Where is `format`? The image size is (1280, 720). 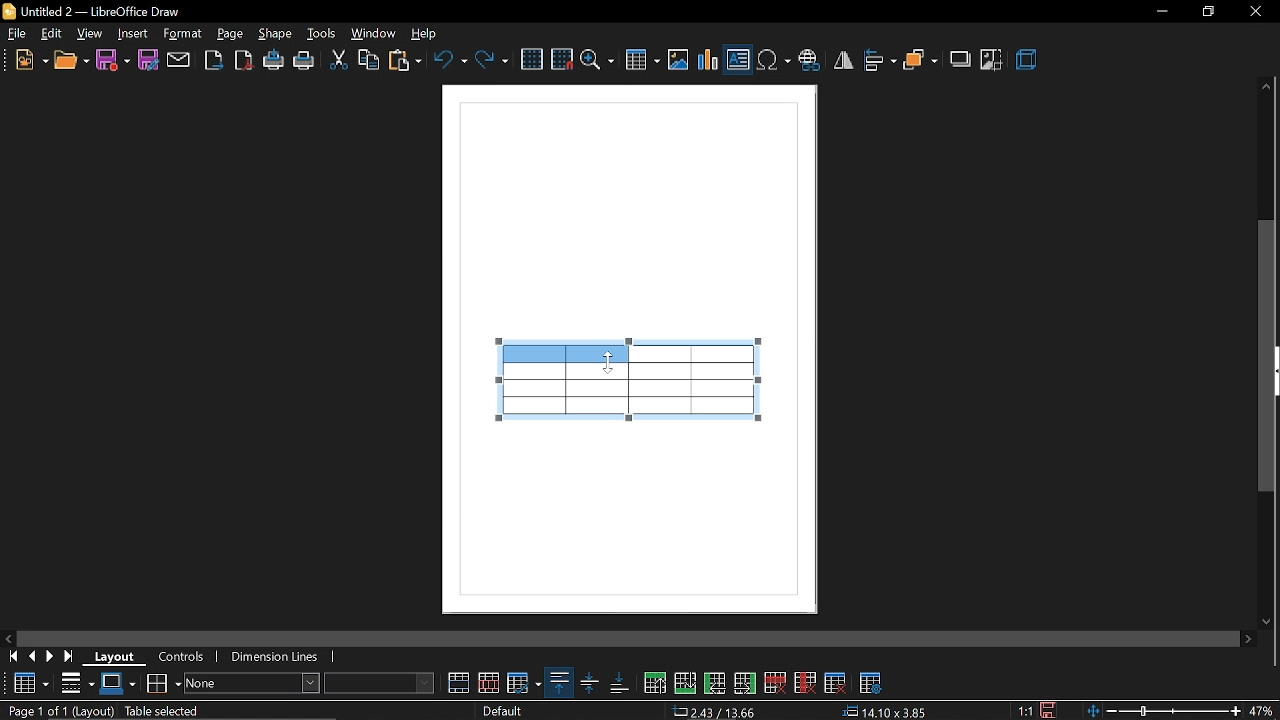 format is located at coordinates (183, 33).